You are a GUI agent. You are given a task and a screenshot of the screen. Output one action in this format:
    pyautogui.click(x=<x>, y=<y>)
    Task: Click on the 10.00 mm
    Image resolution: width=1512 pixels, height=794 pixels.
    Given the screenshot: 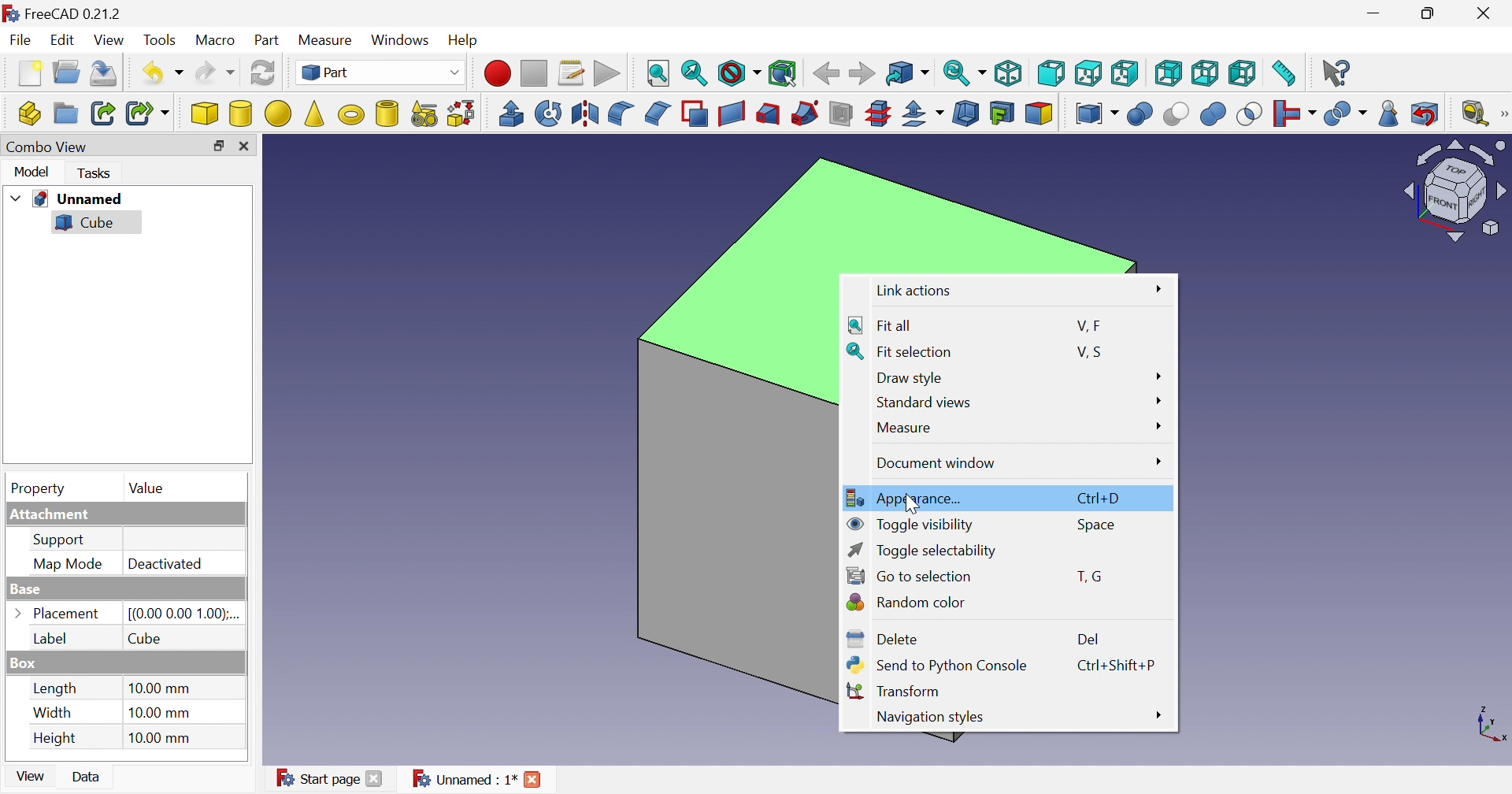 What is the action you would take?
    pyautogui.click(x=161, y=738)
    